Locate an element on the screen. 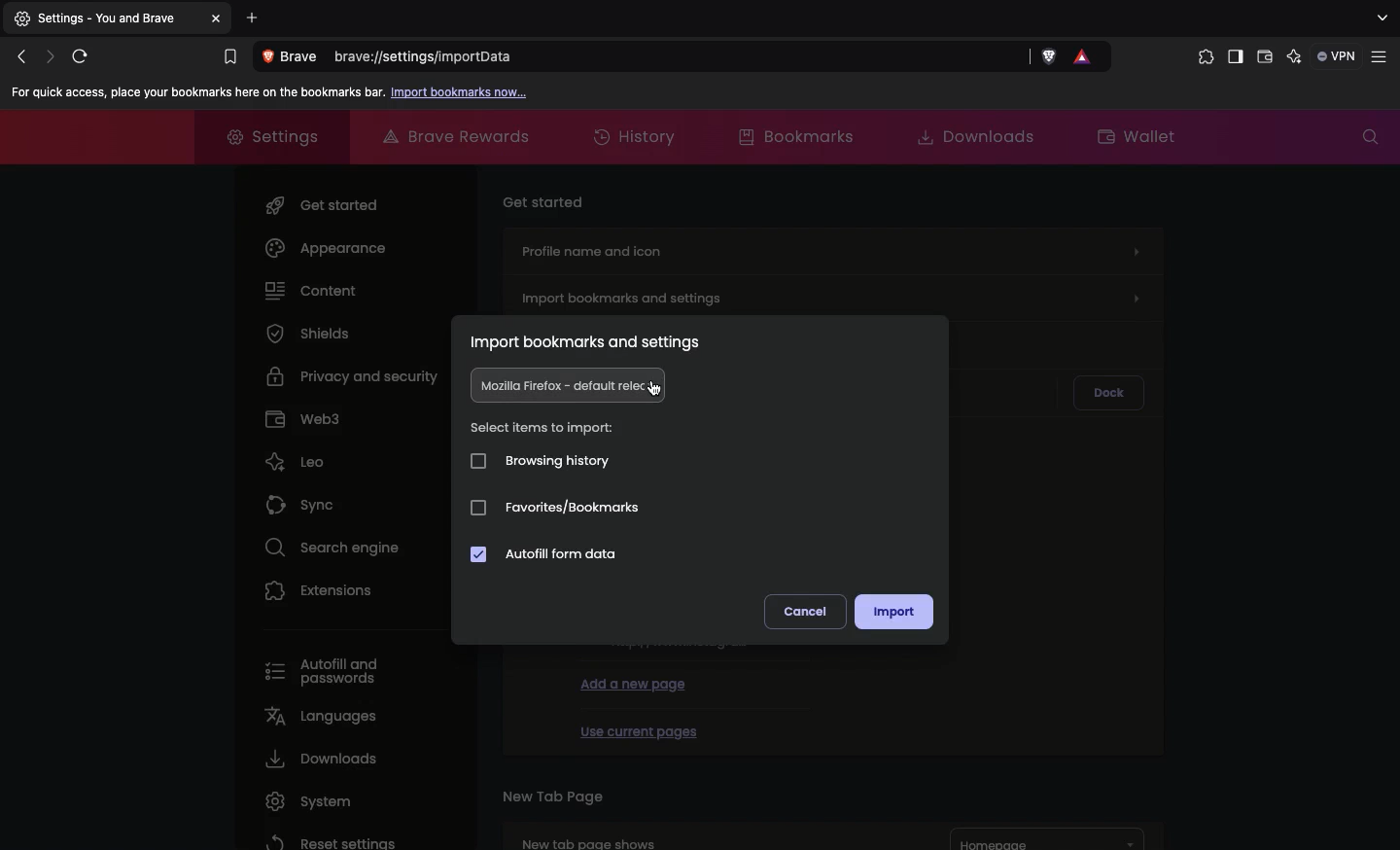  Brave rewards is located at coordinates (459, 136).